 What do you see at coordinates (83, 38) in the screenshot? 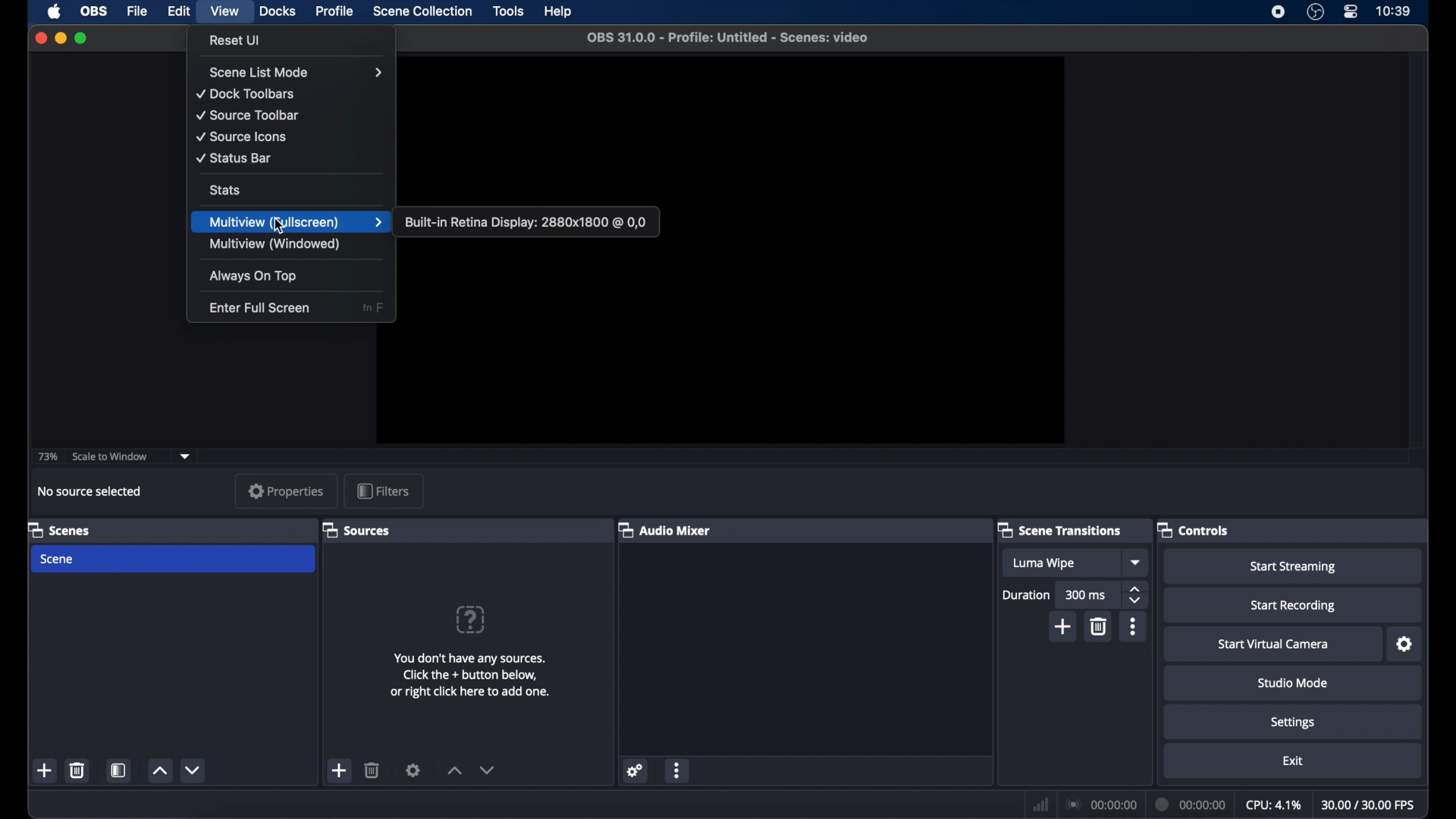
I see `maximize` at bounding box center [83, 38].